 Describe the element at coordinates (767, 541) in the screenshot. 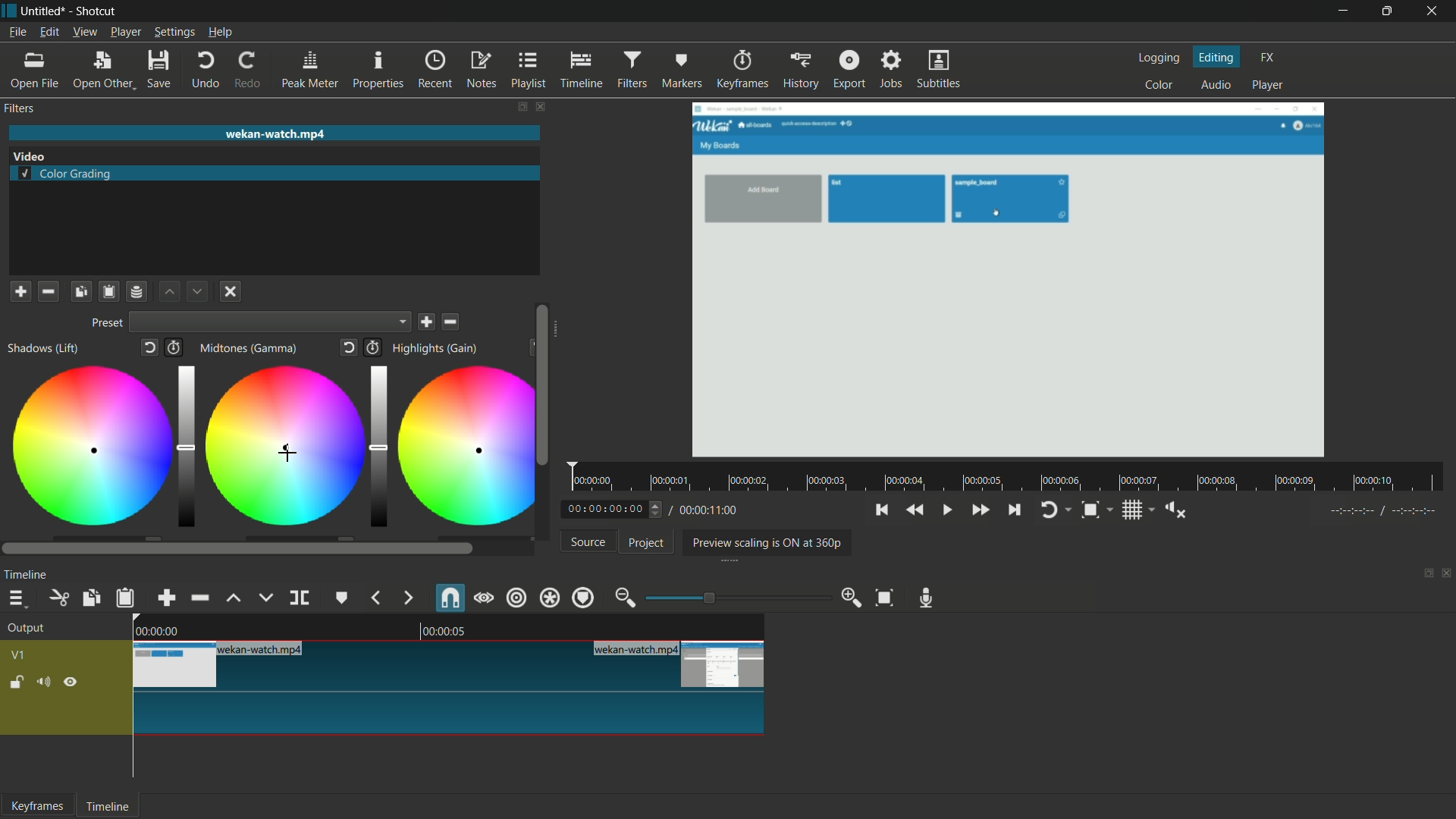

I see `preview scaling is on at 360p` at that location.